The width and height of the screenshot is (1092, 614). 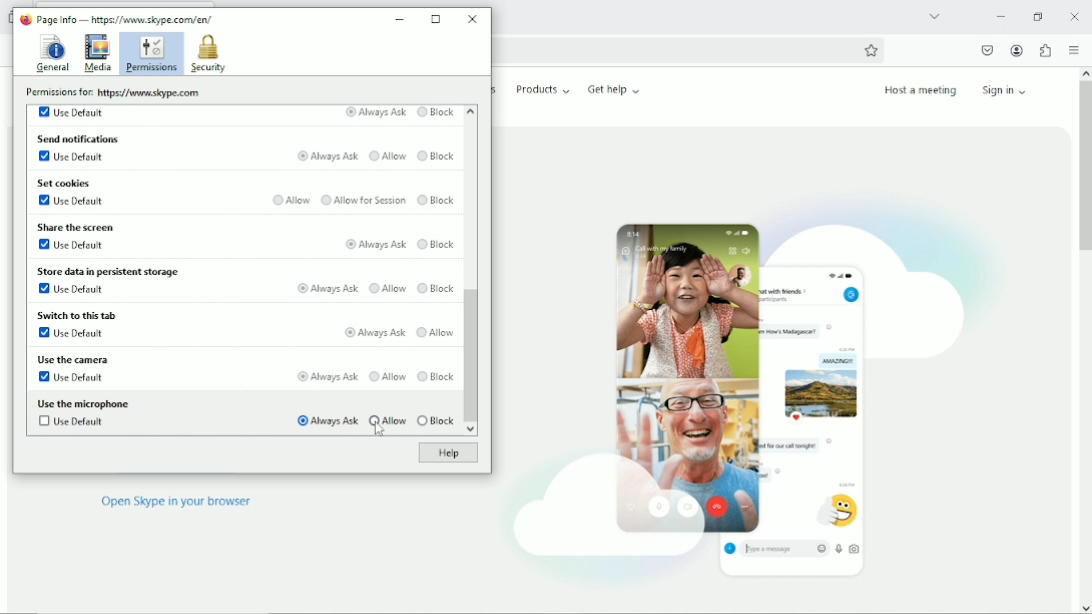 I want to click on scroll down, so click(x=1084, y=607).